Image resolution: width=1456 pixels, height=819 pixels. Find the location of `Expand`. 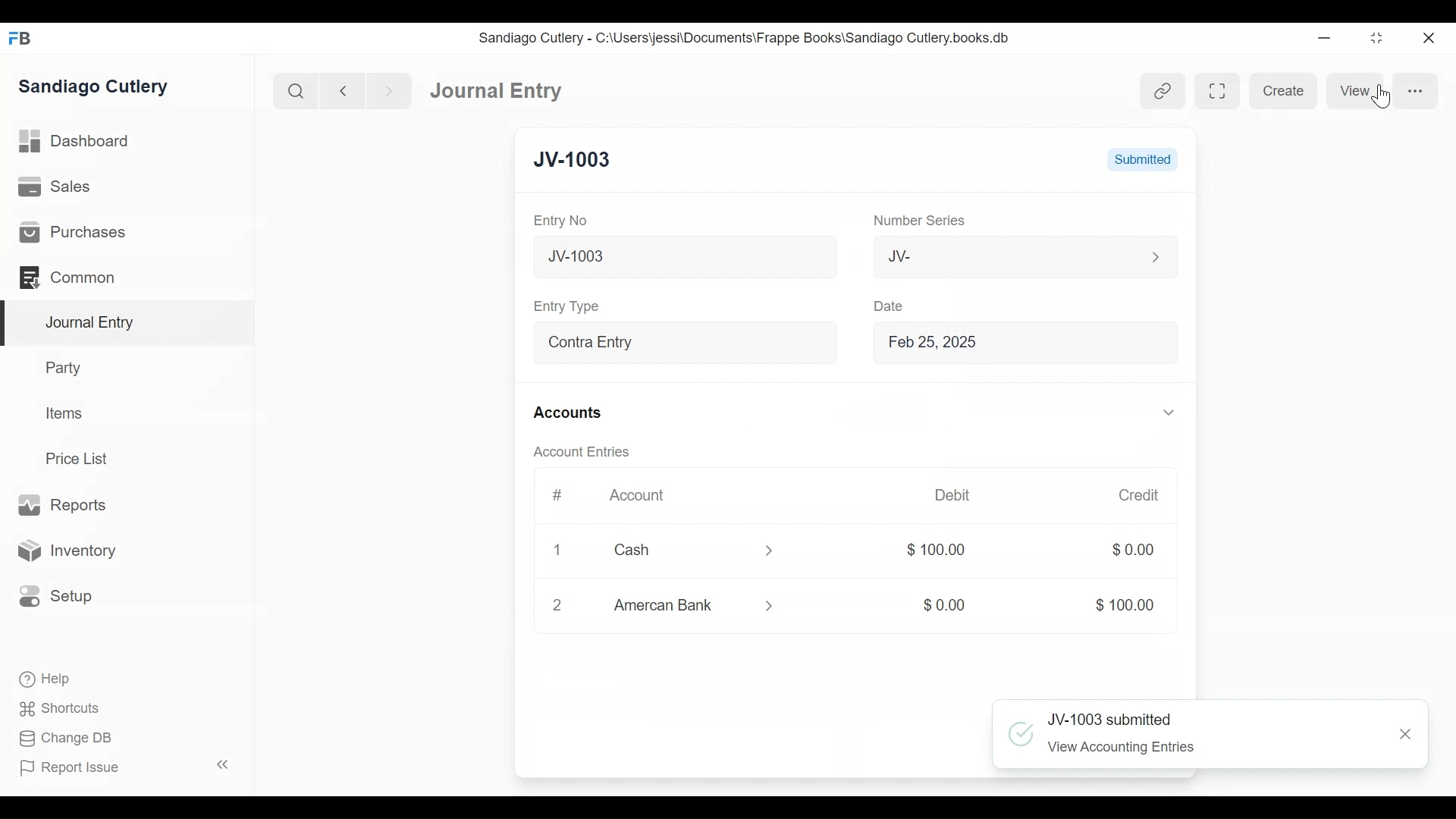

Expand is located at coordinates (1167, 413).